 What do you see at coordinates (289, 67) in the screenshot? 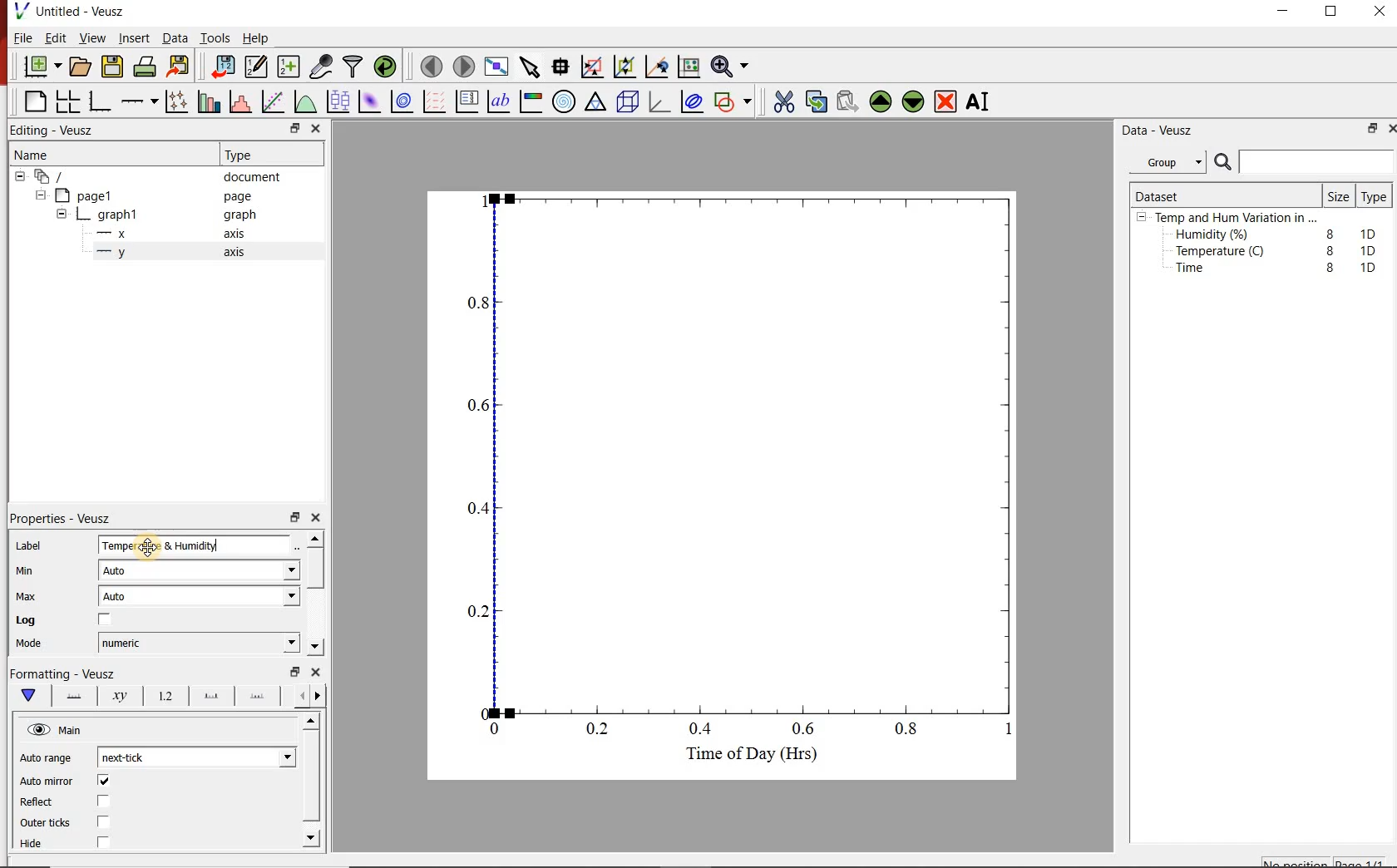
I see `create new datasets using ranges, parametrically or as functions of existing datasets` at bounding box center [289, 67].